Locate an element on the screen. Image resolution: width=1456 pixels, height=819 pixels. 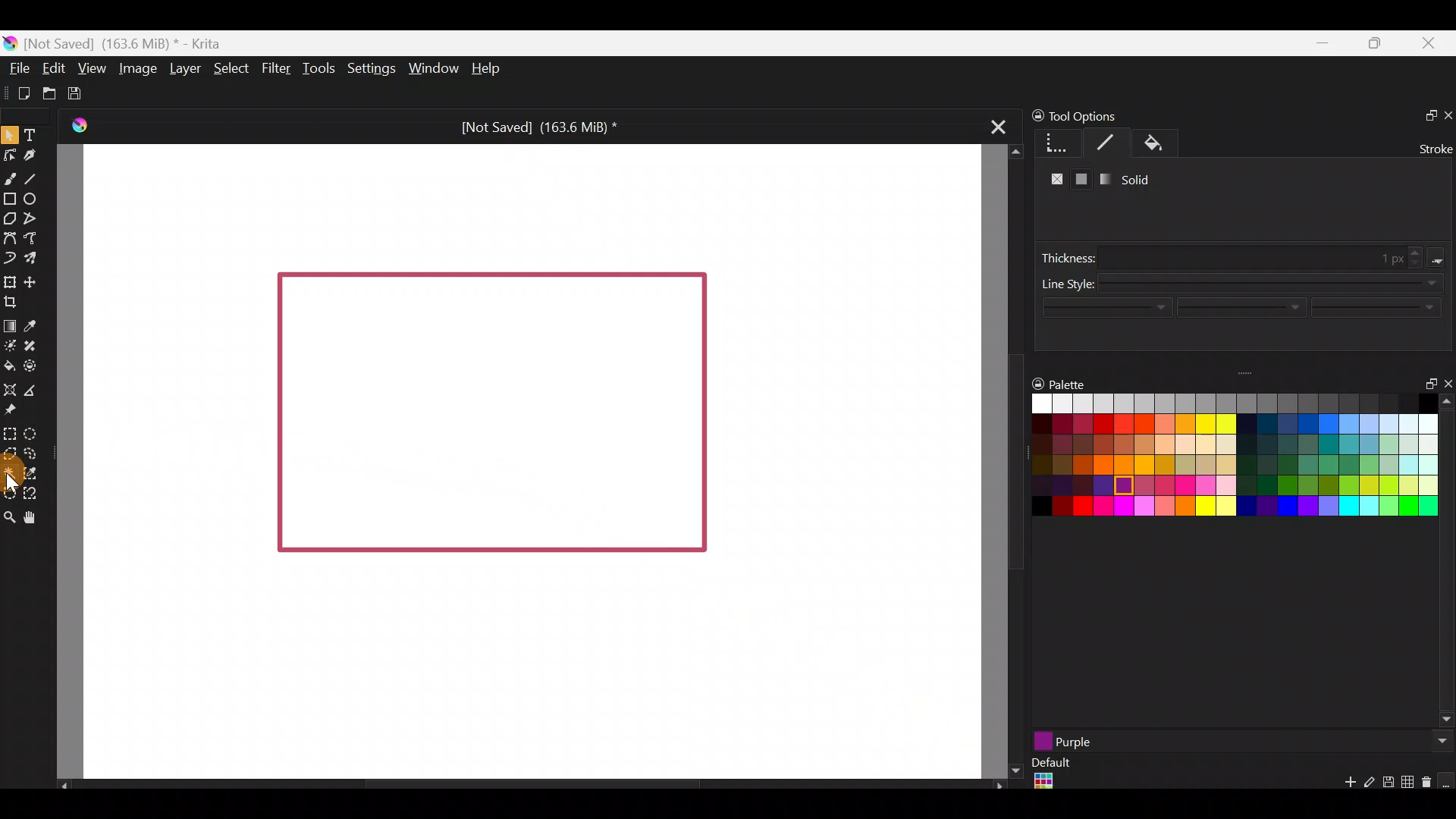
Lock the current palette is located at coordinates (1447, 781).